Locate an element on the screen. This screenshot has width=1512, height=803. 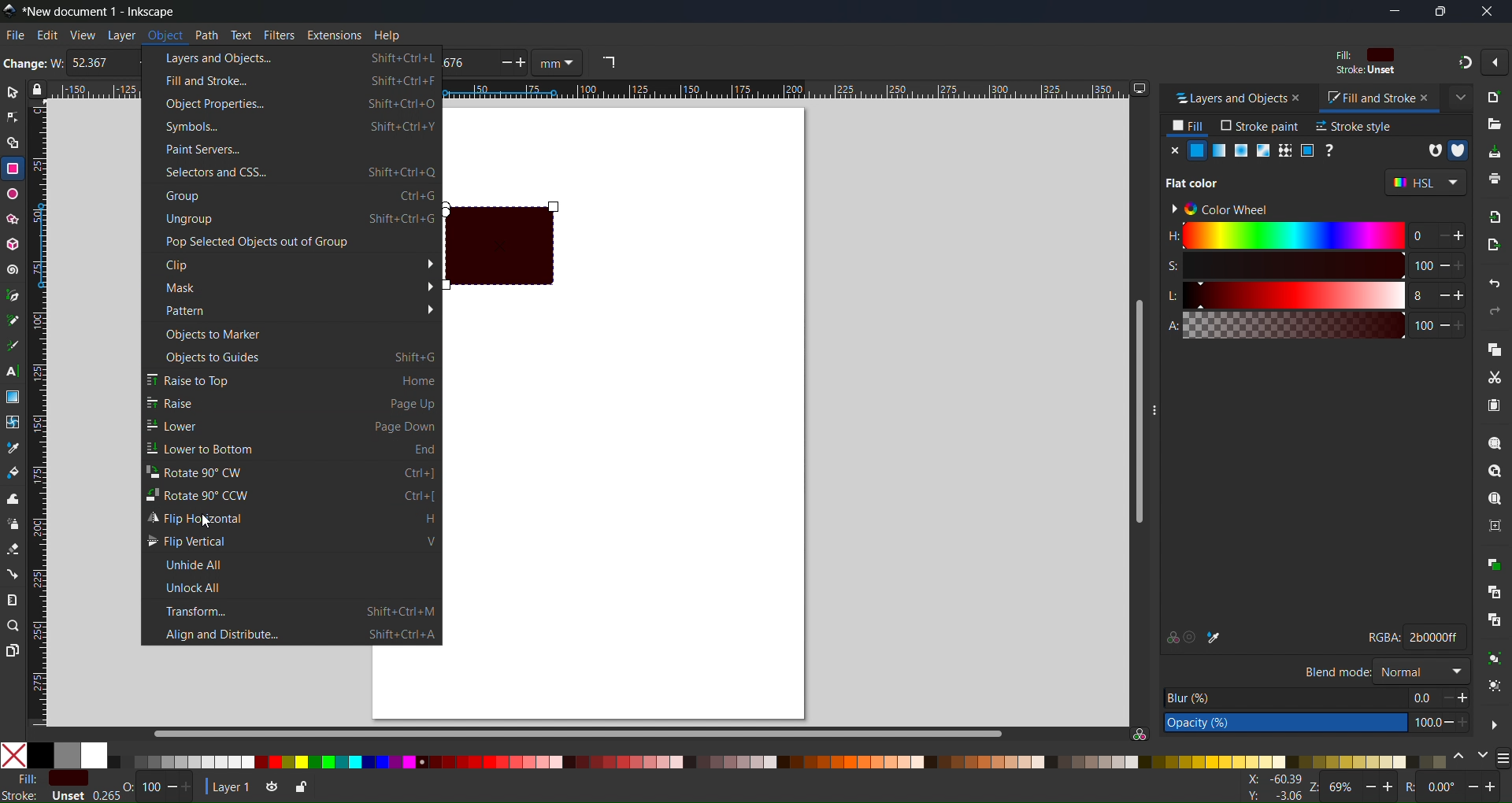
Fill and stroke is located at coordinates (1363, 98).